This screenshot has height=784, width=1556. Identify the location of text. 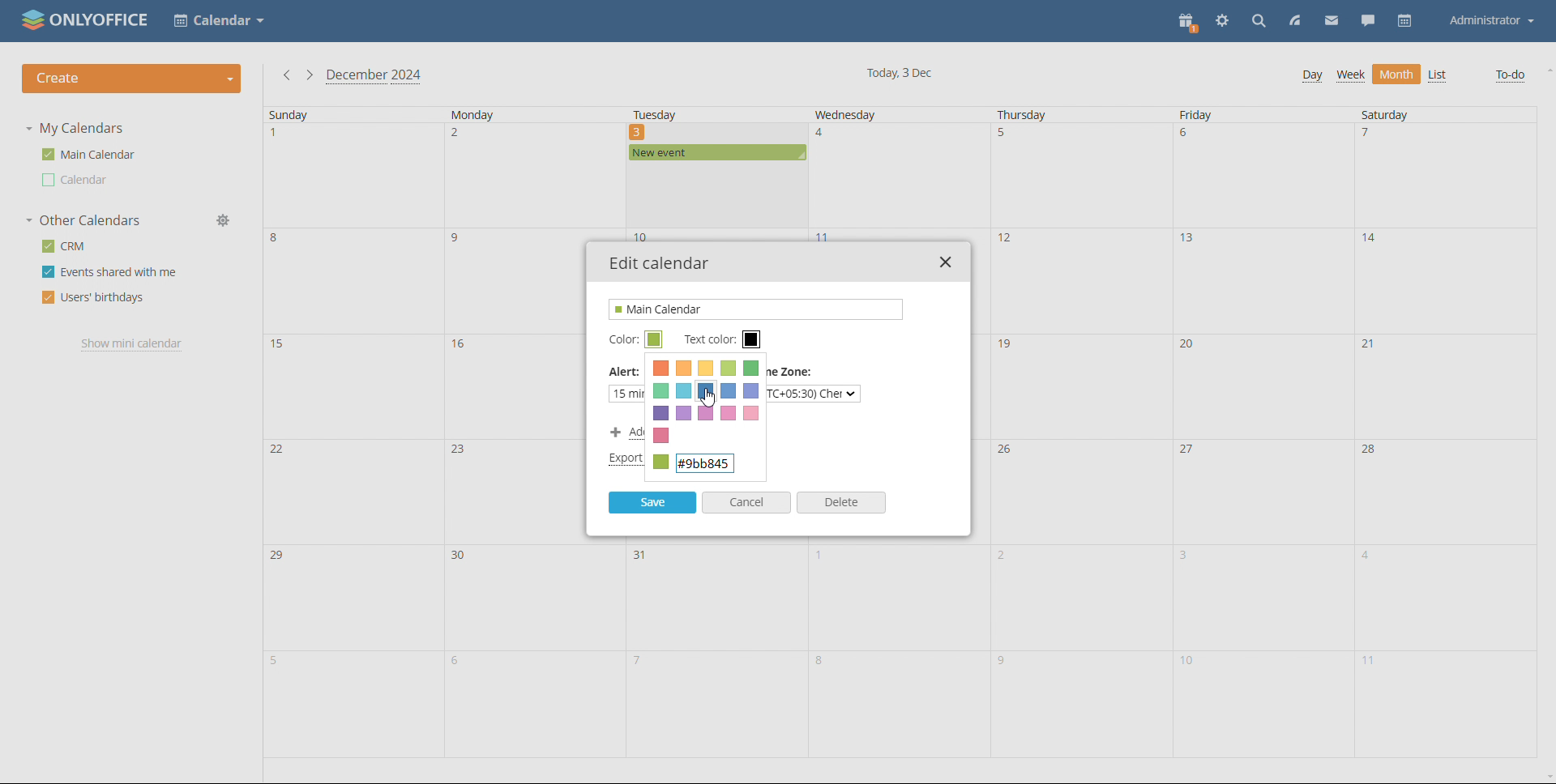
(812, 394).